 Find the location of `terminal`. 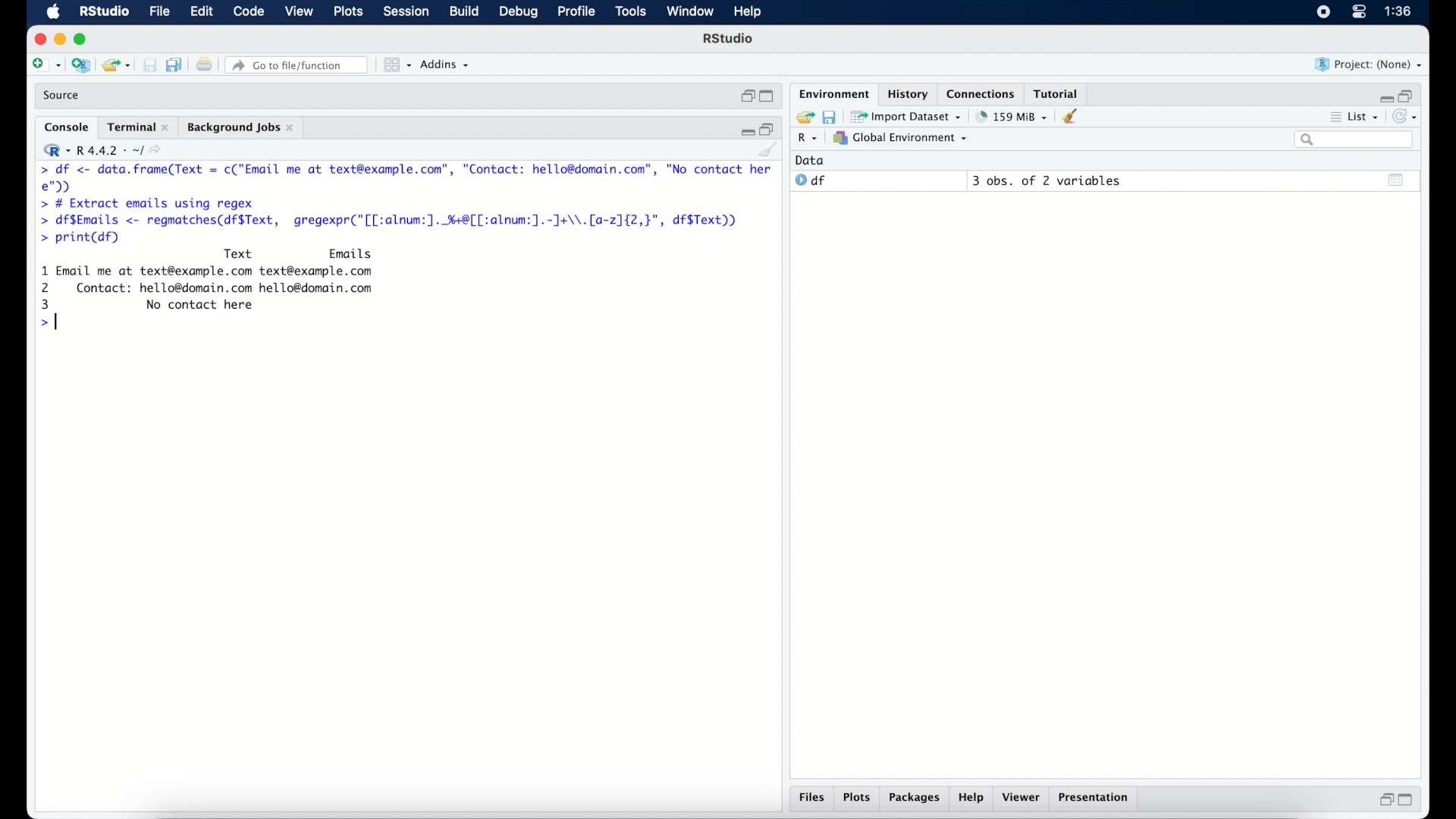

terminal is located at coordinates (137, 127).